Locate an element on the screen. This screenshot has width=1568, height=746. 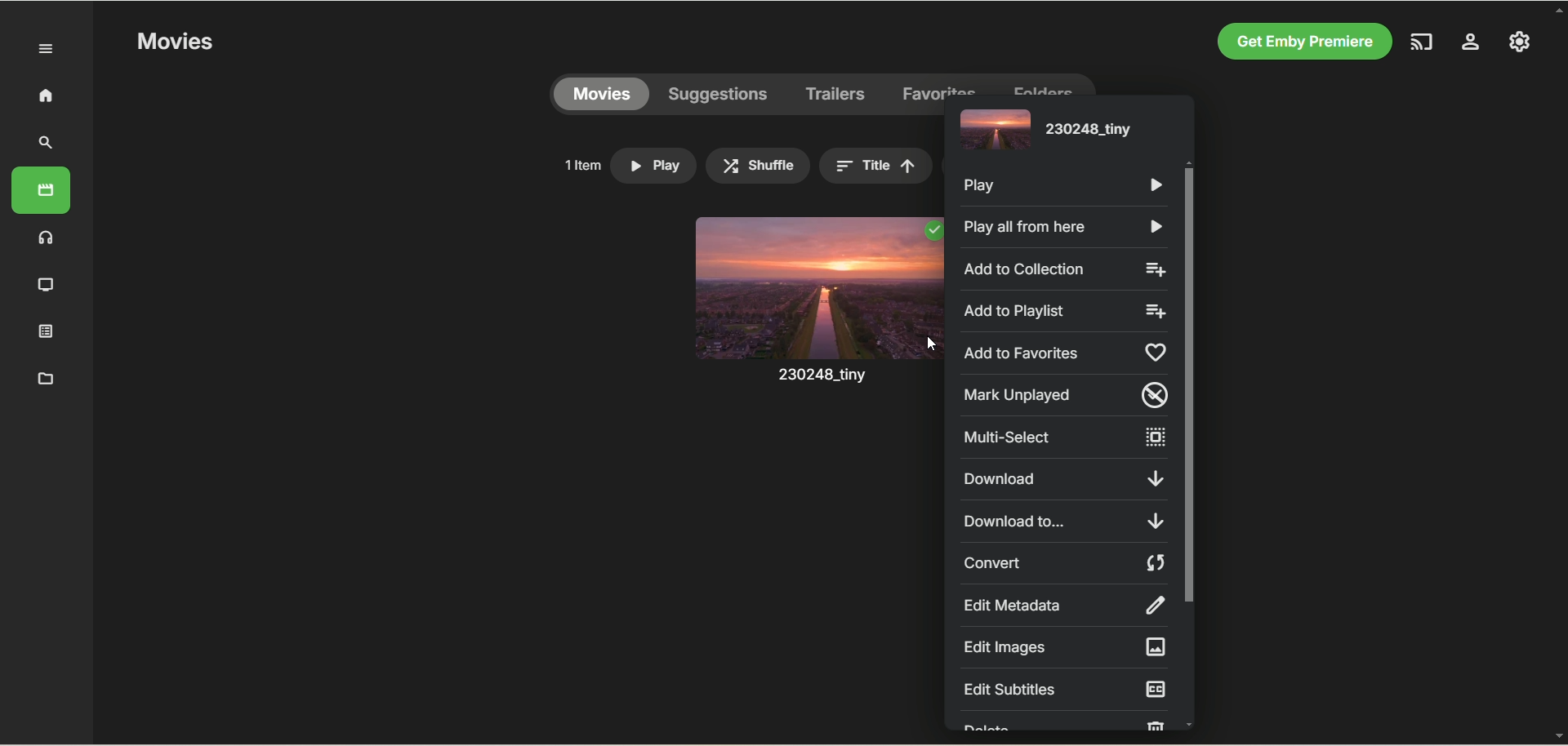
manage emby  server is located at coordinates (1520, 41).